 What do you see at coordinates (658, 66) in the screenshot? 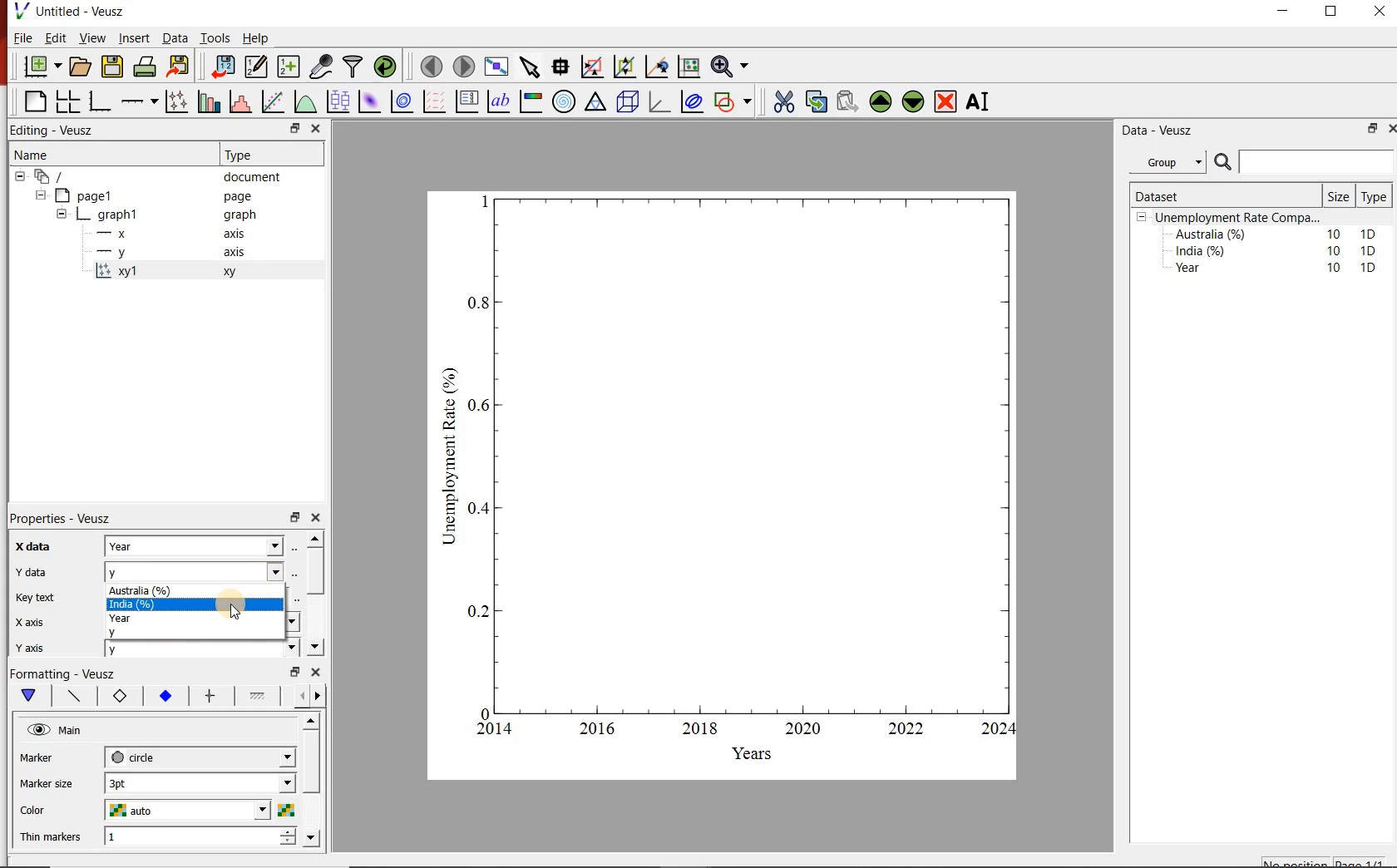
I see `click to recenter graph axes` at bounding box center [658, 66].